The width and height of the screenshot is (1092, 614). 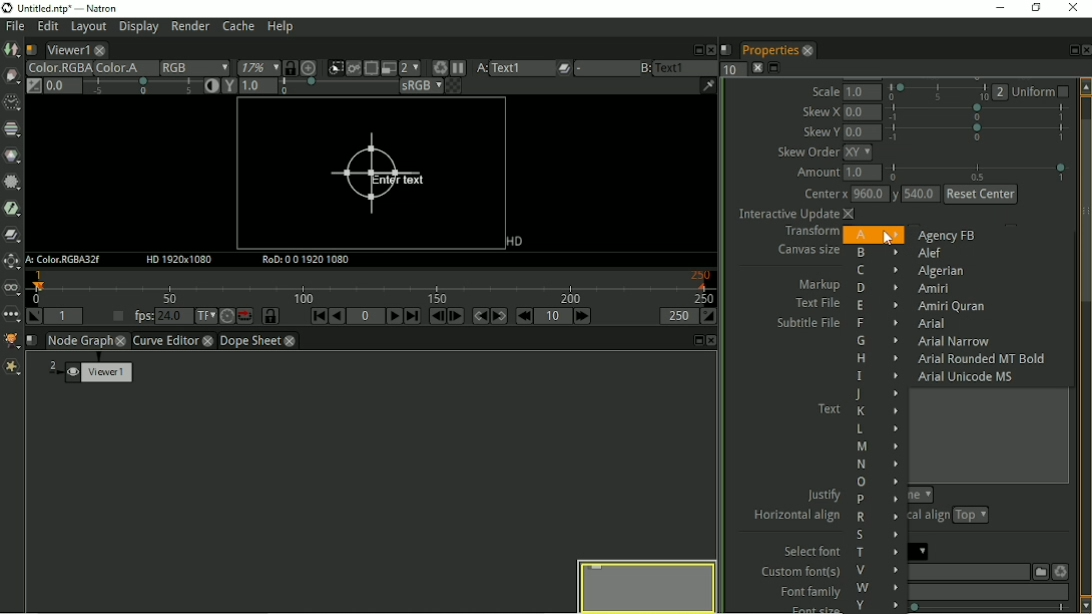 I want to click on Amiri Quran, so click(x=949, y=307).